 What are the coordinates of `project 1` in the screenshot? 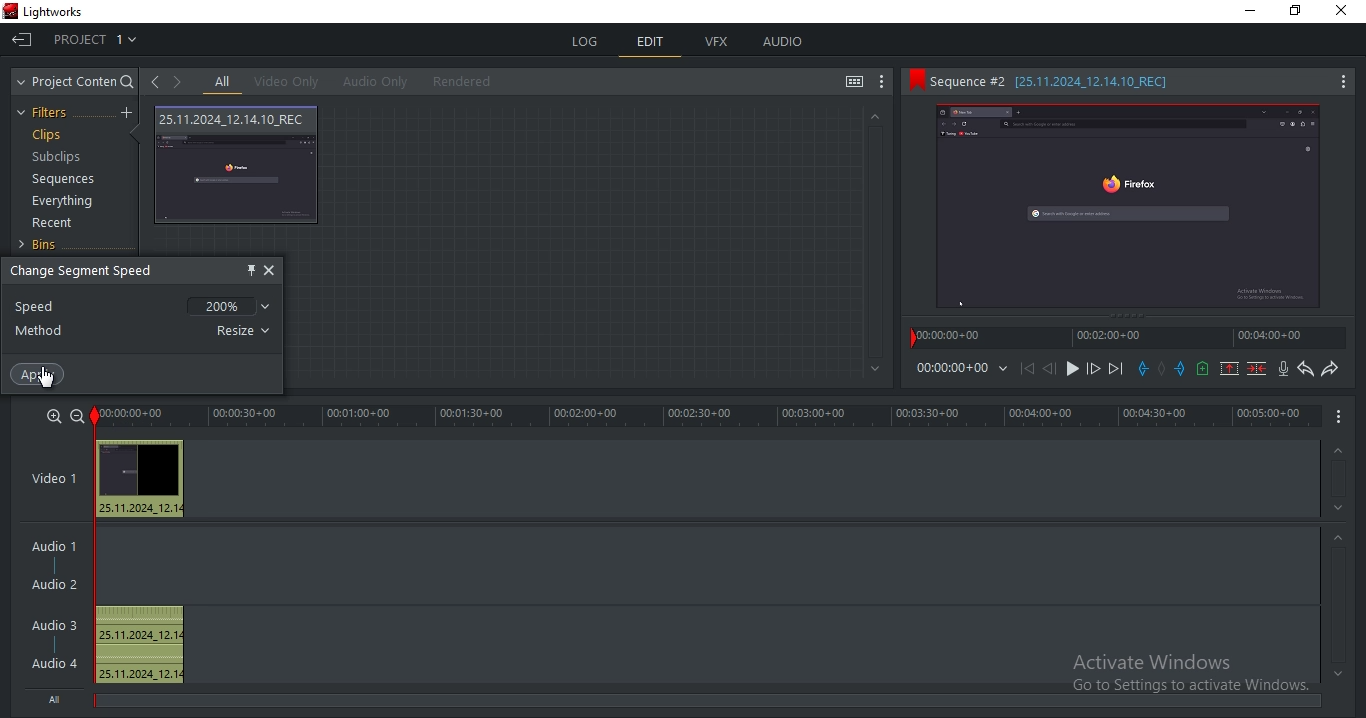 It's located at (97, 42).